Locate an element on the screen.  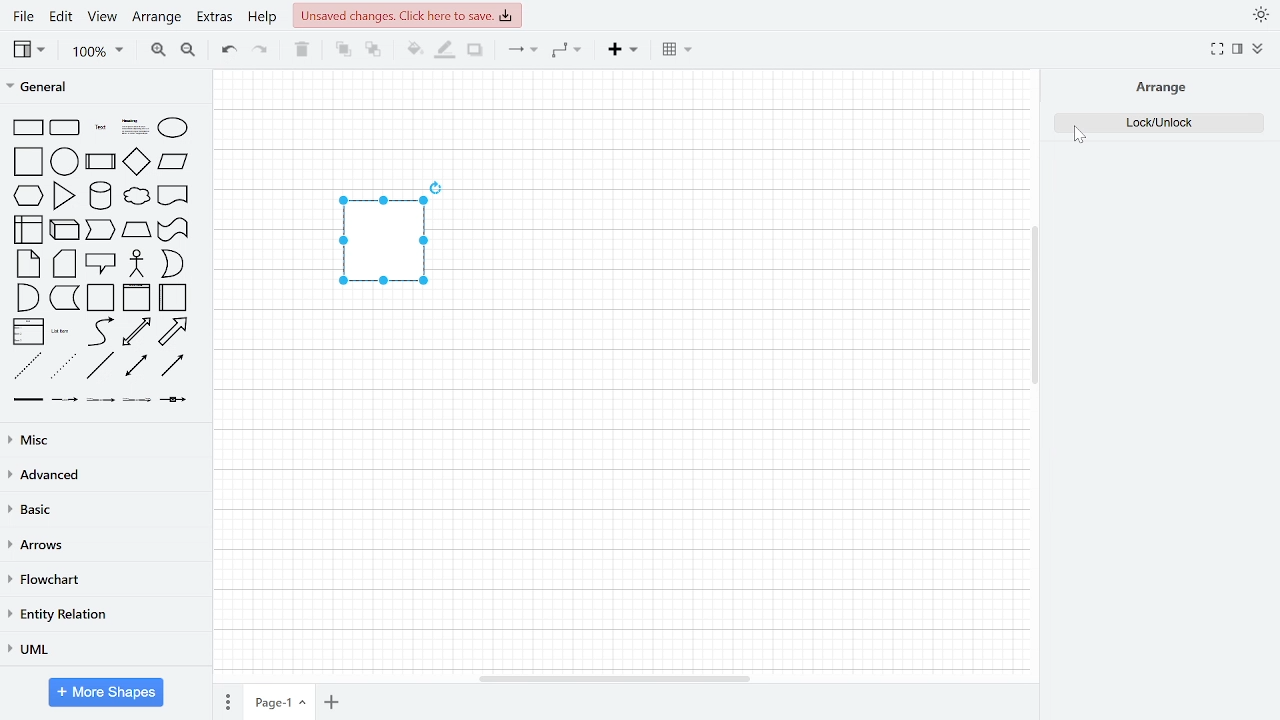
basic is located at coordinates (103, 509).